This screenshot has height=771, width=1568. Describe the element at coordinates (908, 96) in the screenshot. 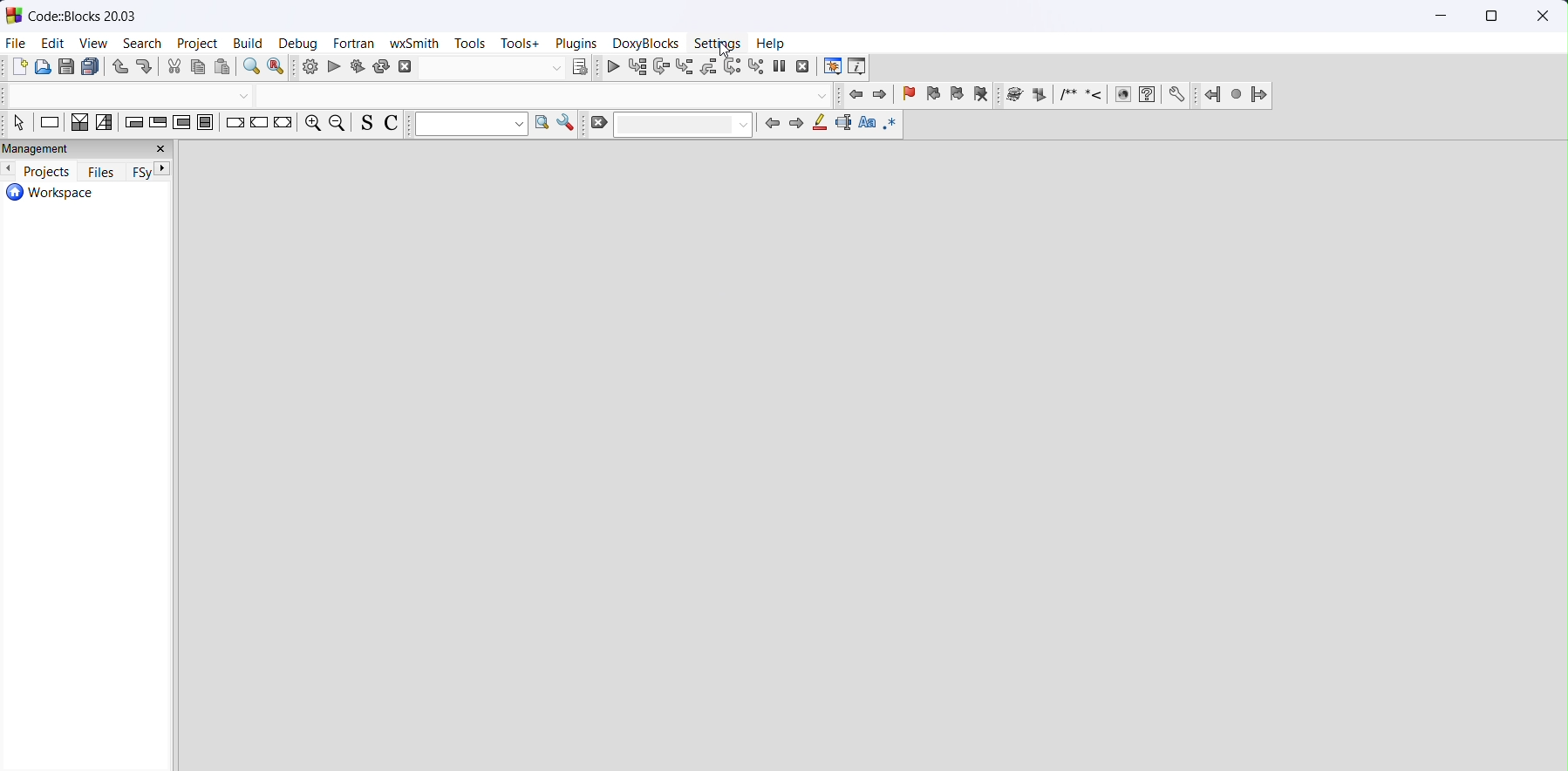

I see `toggle bookmark` at that location.